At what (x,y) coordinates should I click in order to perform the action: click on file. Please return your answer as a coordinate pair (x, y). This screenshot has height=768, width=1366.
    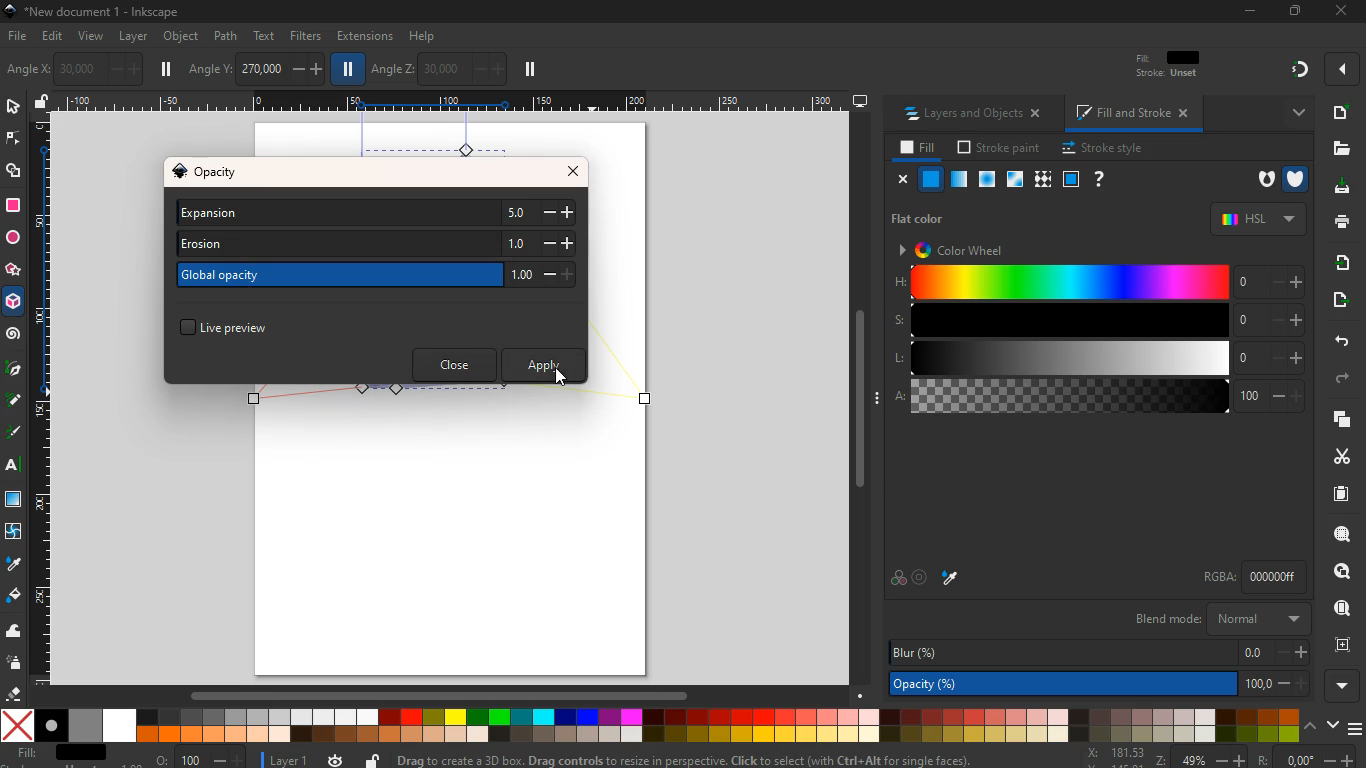
    Looking at the image, I should click on (1342, 148).